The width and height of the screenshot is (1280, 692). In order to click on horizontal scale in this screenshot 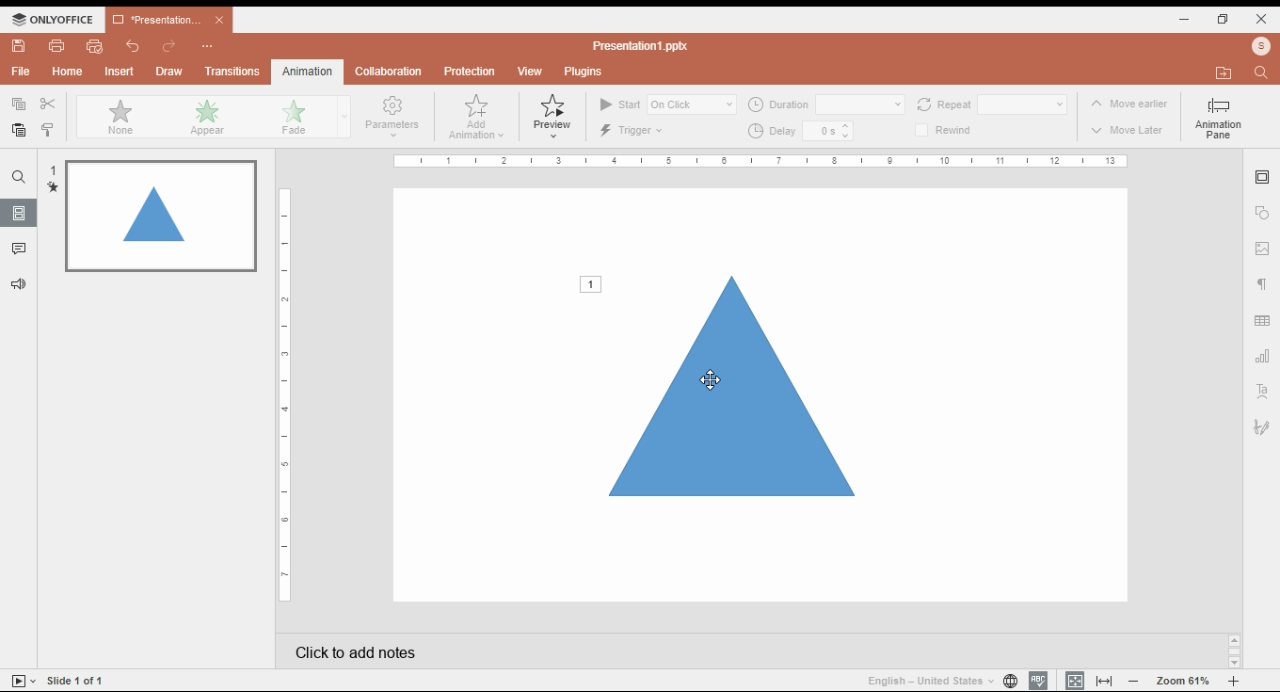, I will do `click(763, 162)`.